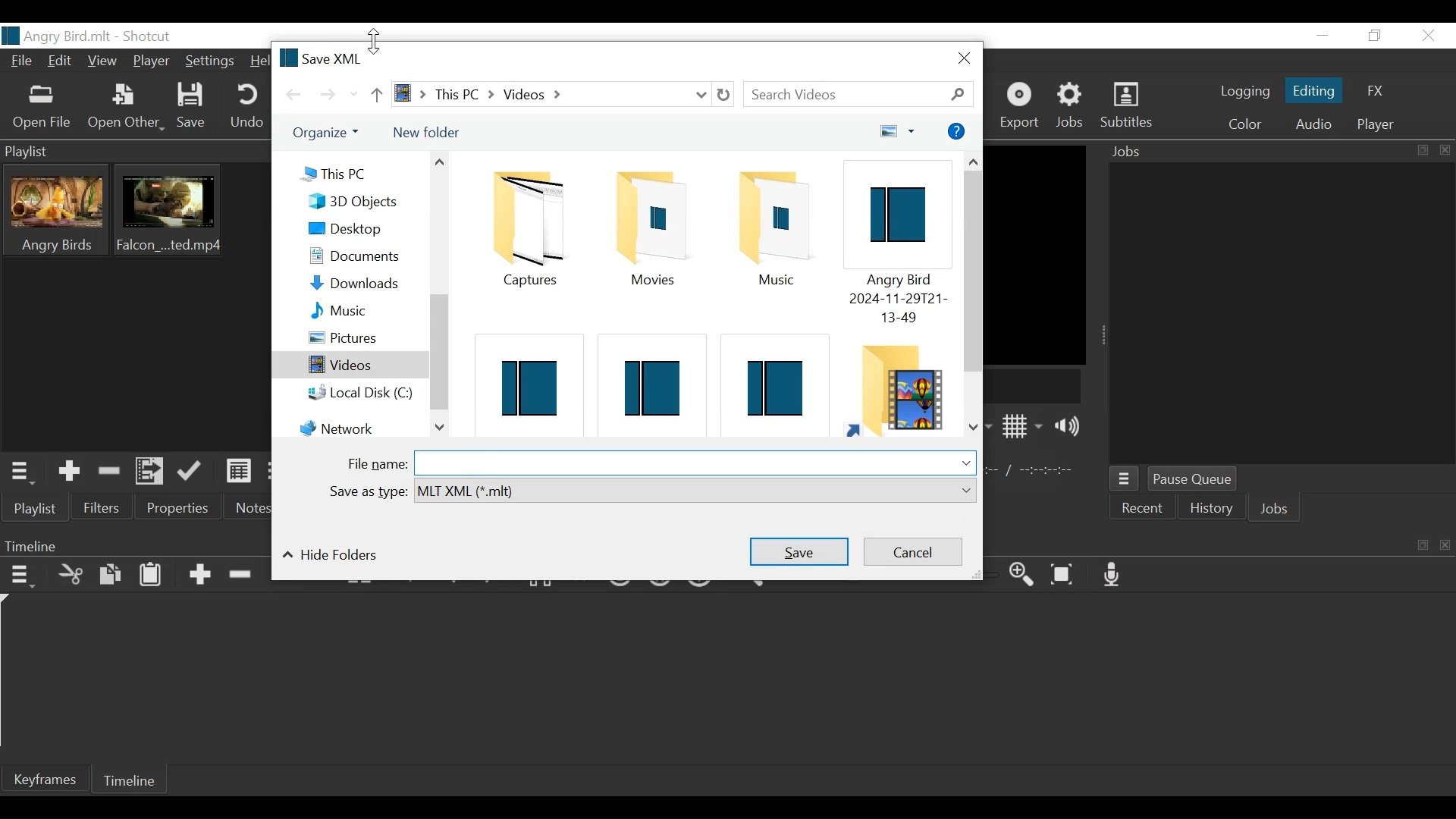 The image size is (1456, 819). I want to click on Clip, so click(170, 210).